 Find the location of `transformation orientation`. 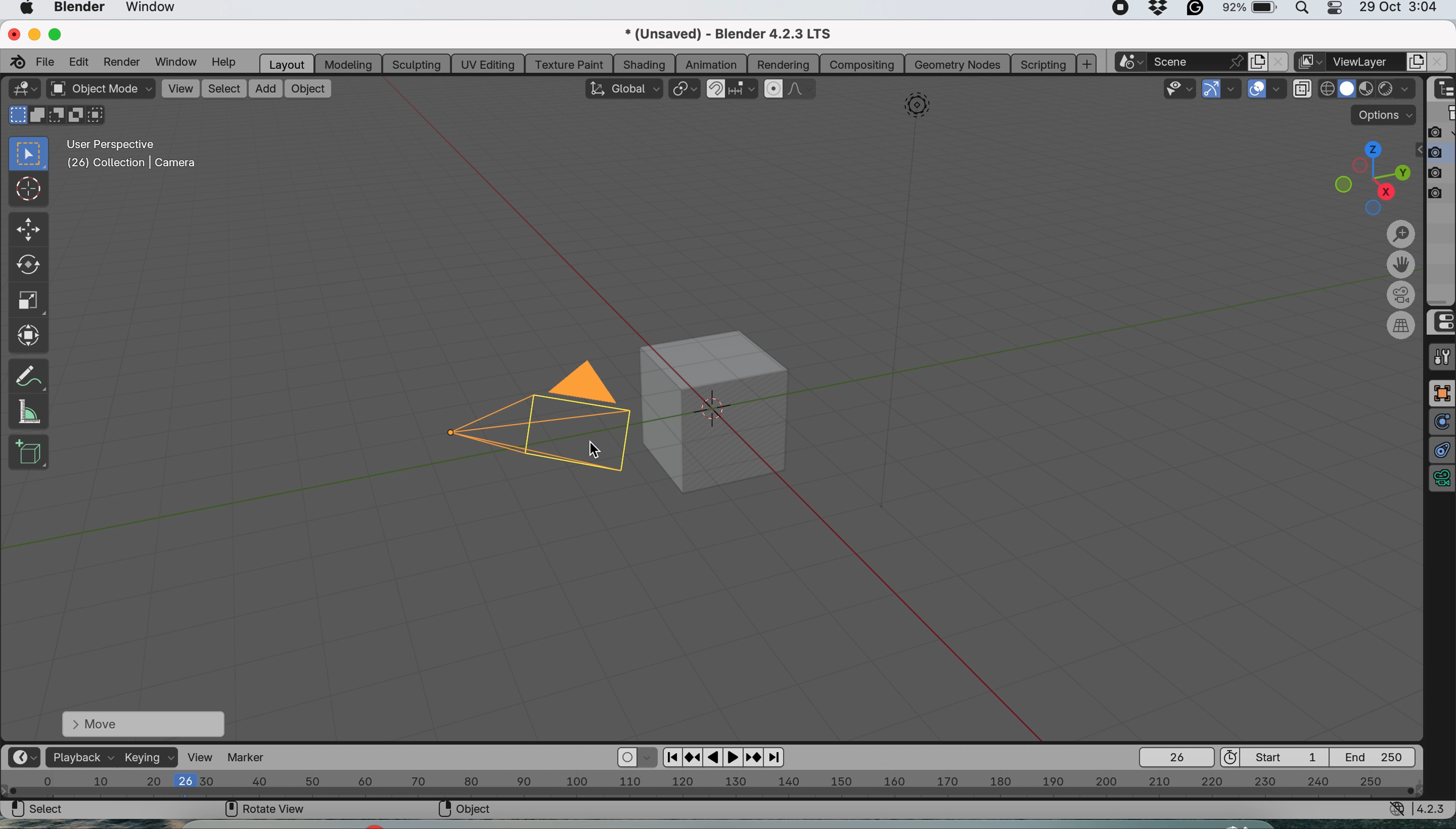

transformation orientation is located at coordinates (622, 88).